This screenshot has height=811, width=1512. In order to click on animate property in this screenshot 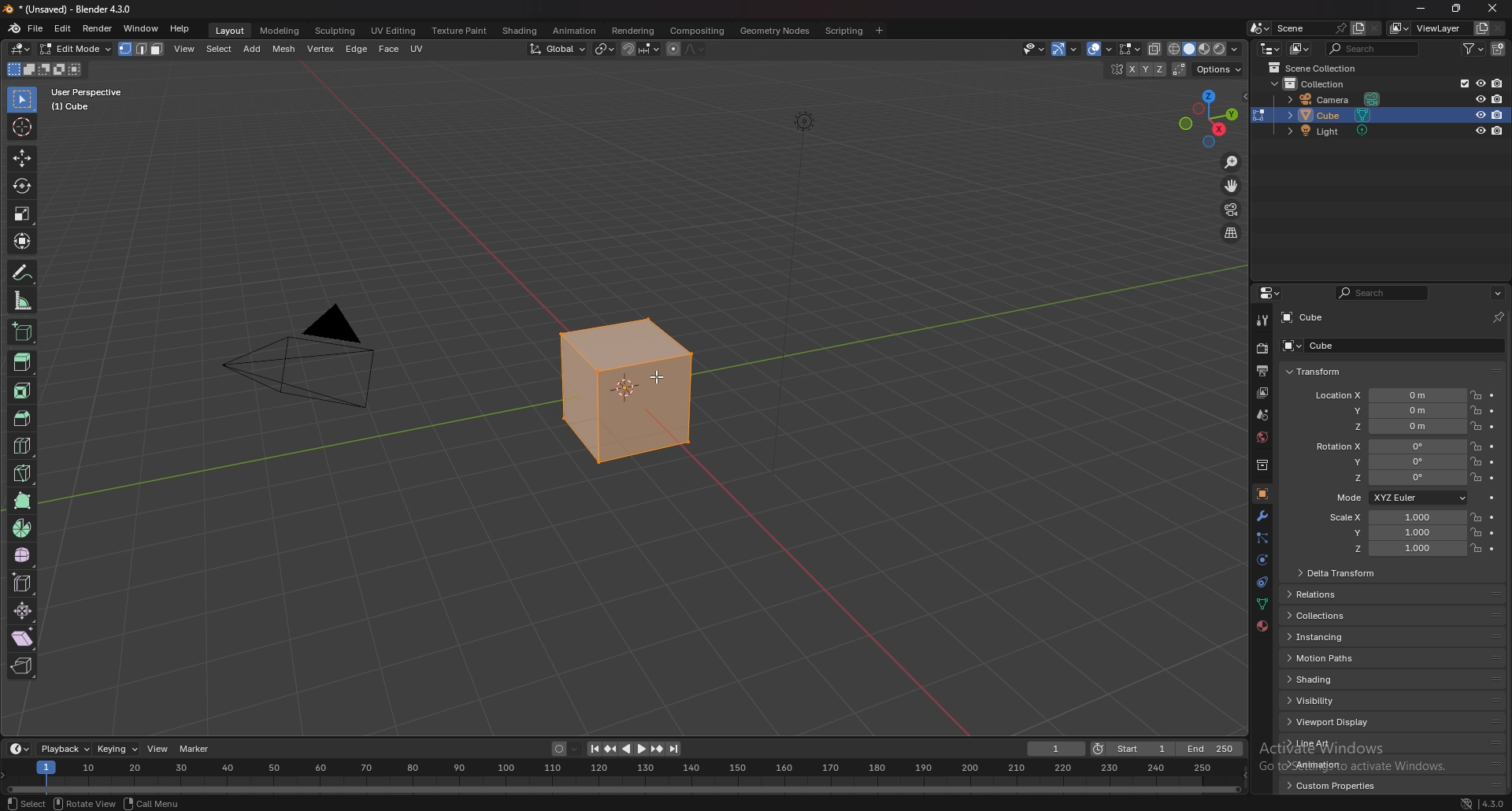, I will do `click(1493, 446)`.